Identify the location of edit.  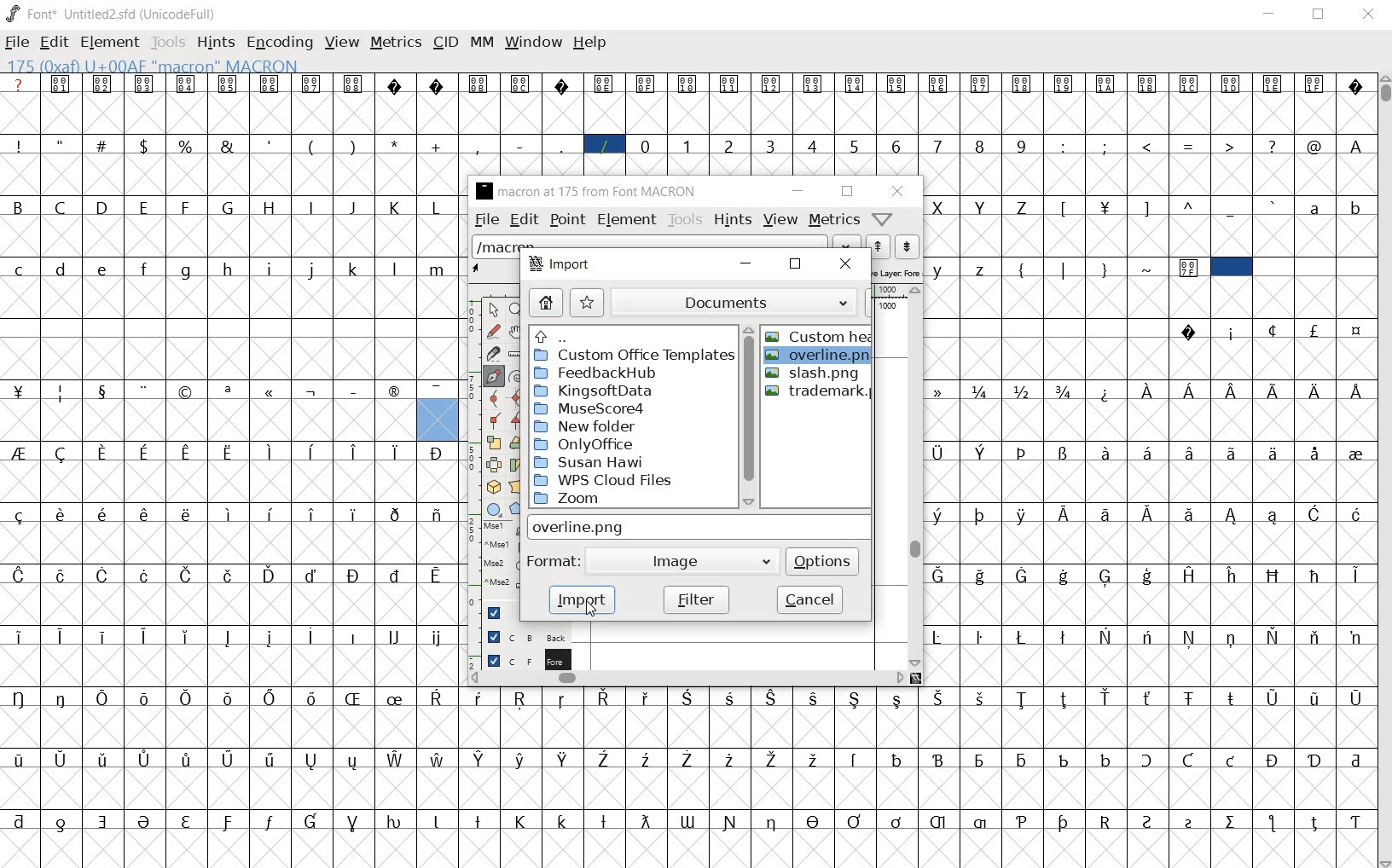
(524, 222).